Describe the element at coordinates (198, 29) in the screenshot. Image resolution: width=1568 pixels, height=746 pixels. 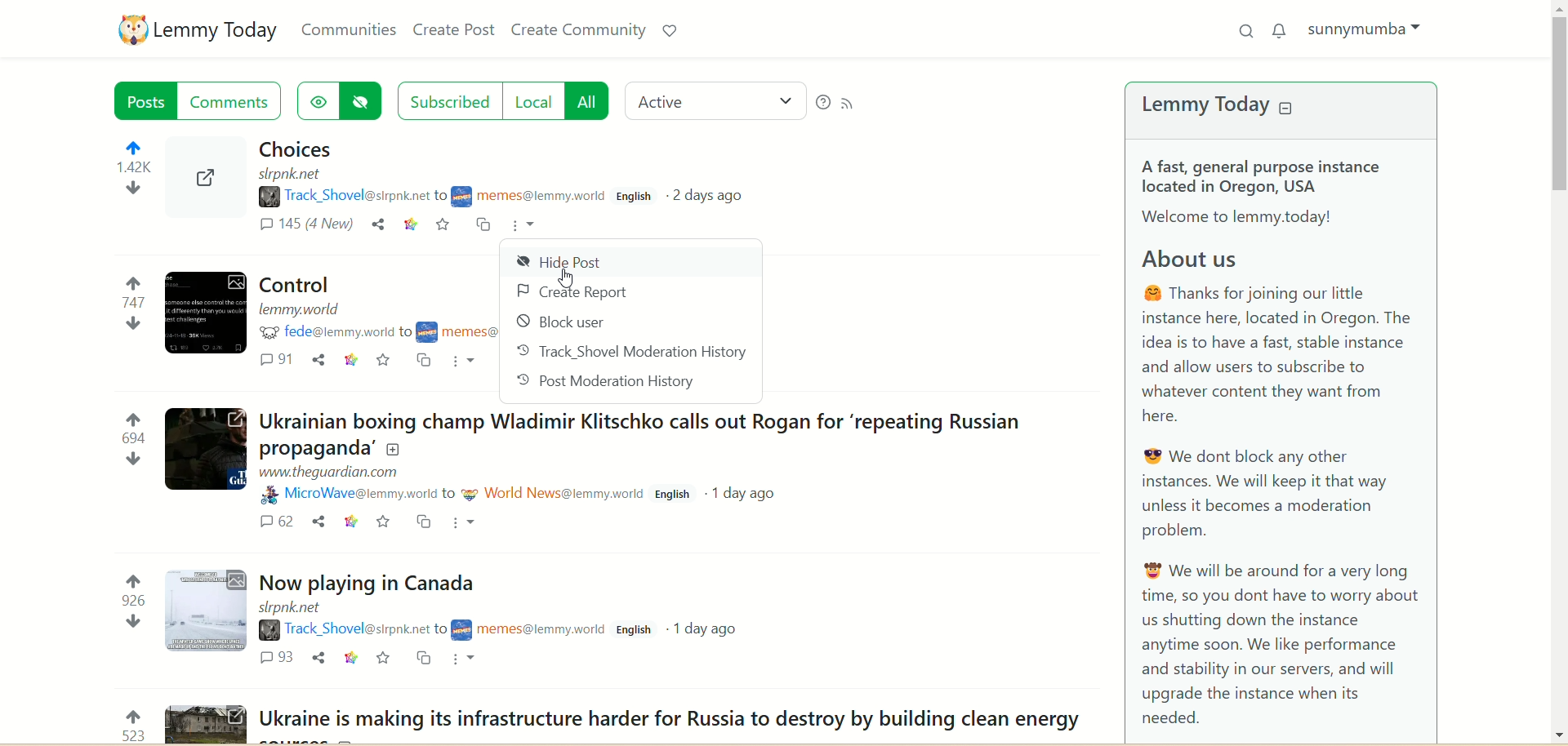
I see `lemmy today logo and name` at that location.